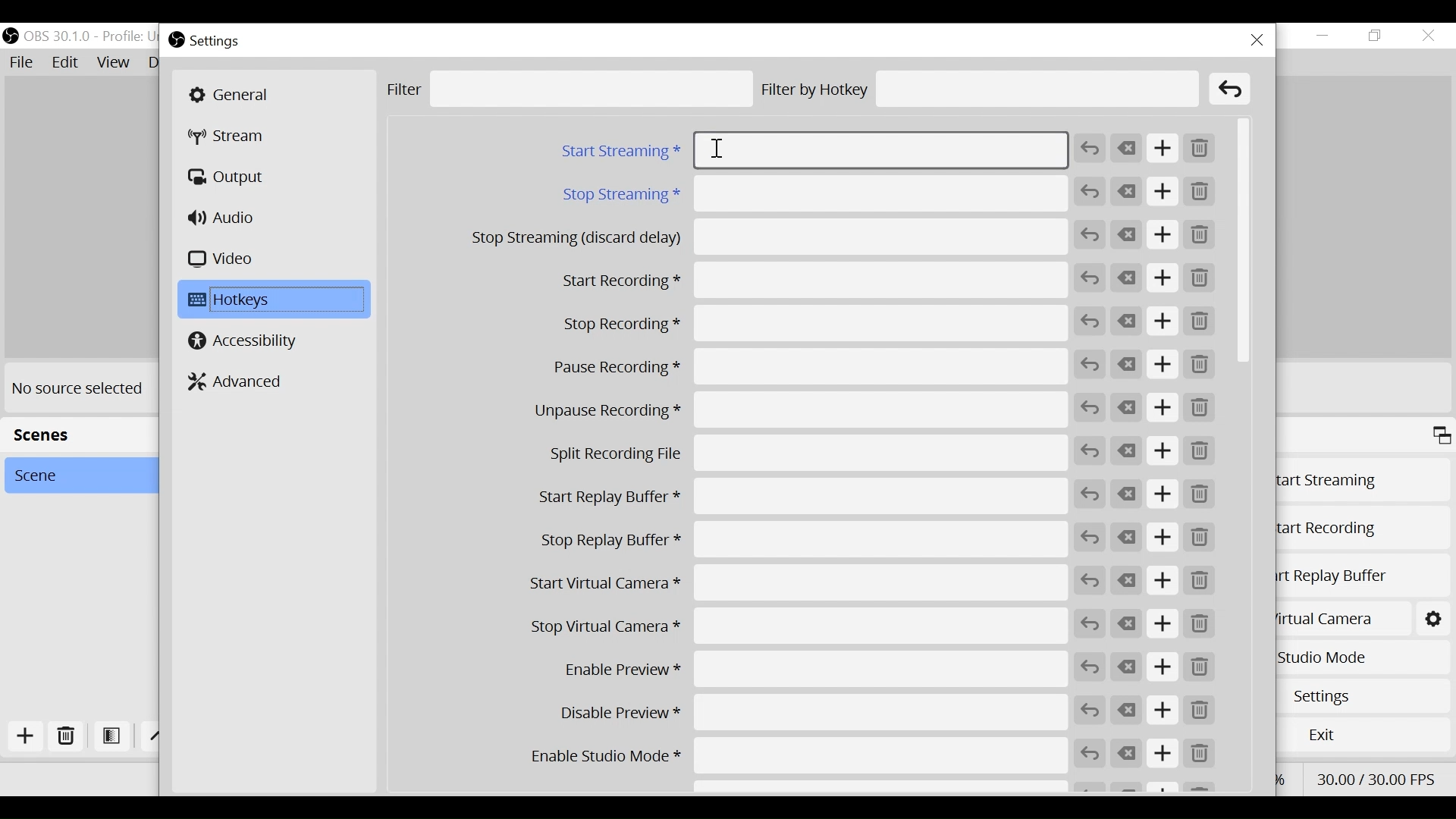 The height and width of the screenshot is (819, 1456). I want to click on Add, so click(1163, 625).